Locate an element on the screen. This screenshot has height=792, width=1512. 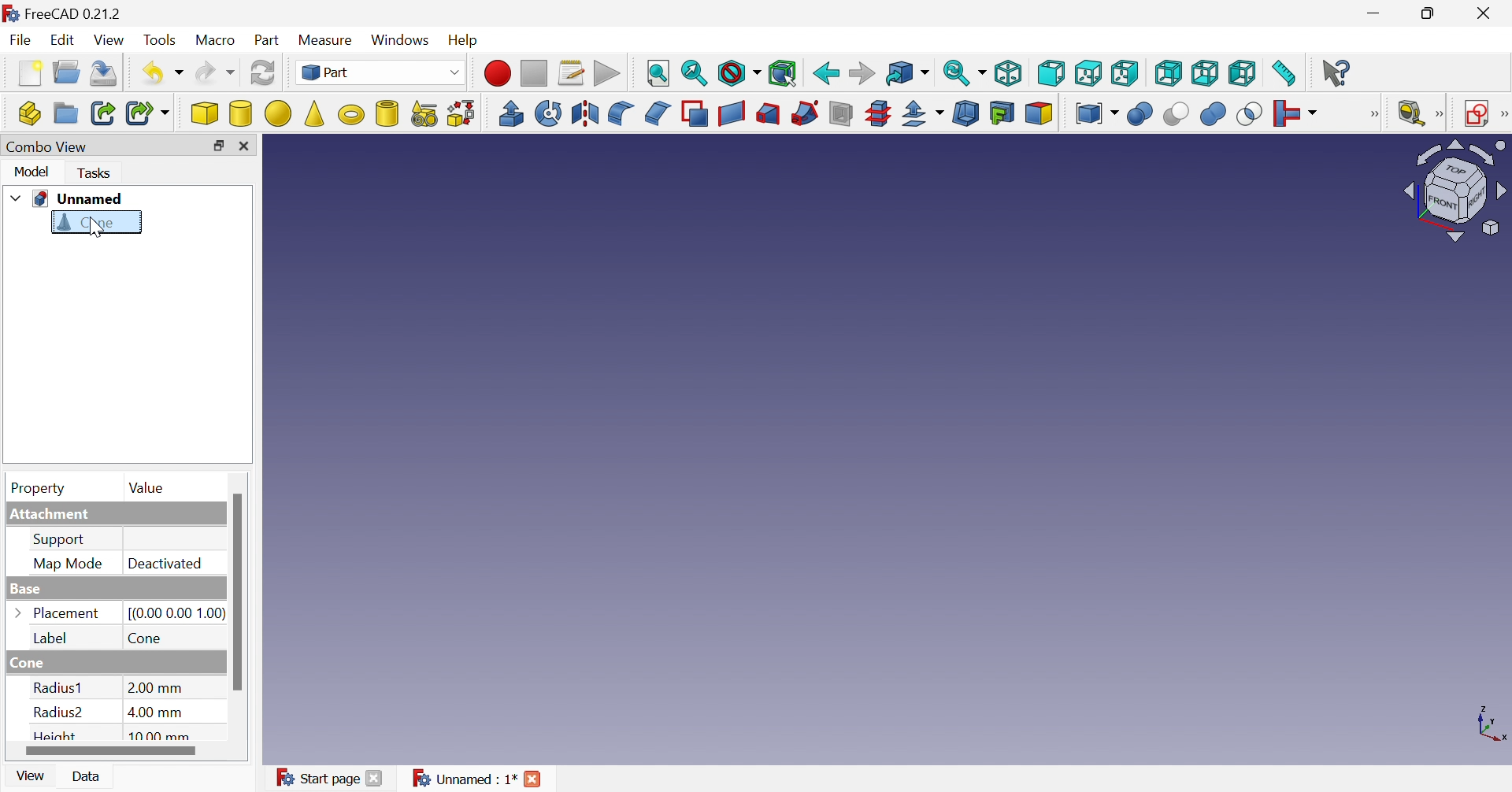
Unnamed is located at coordinates (81, 198).